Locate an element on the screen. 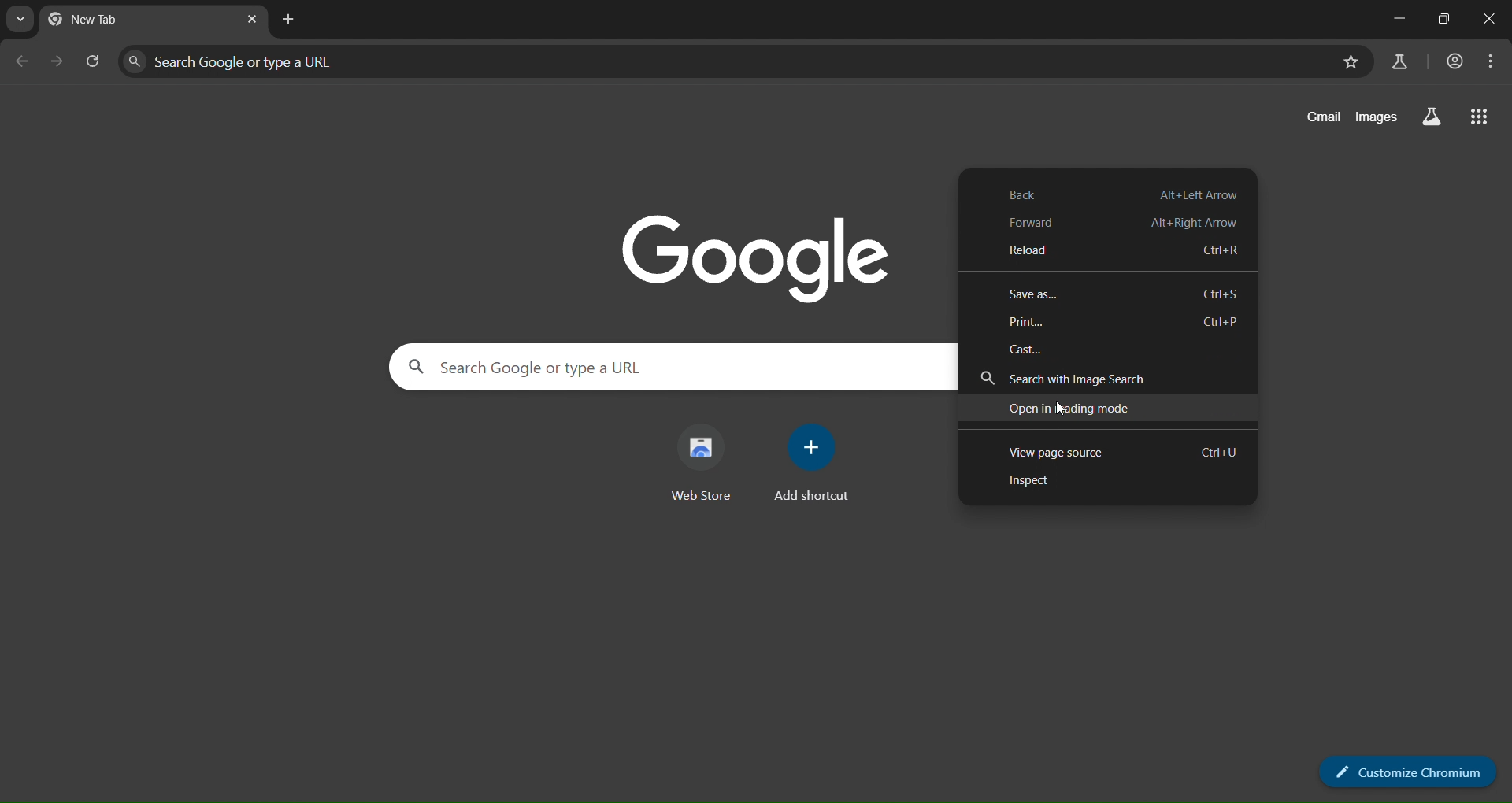 The height and width of the screenshot is (803, 1512). print is located at coordinates (1123, 320).